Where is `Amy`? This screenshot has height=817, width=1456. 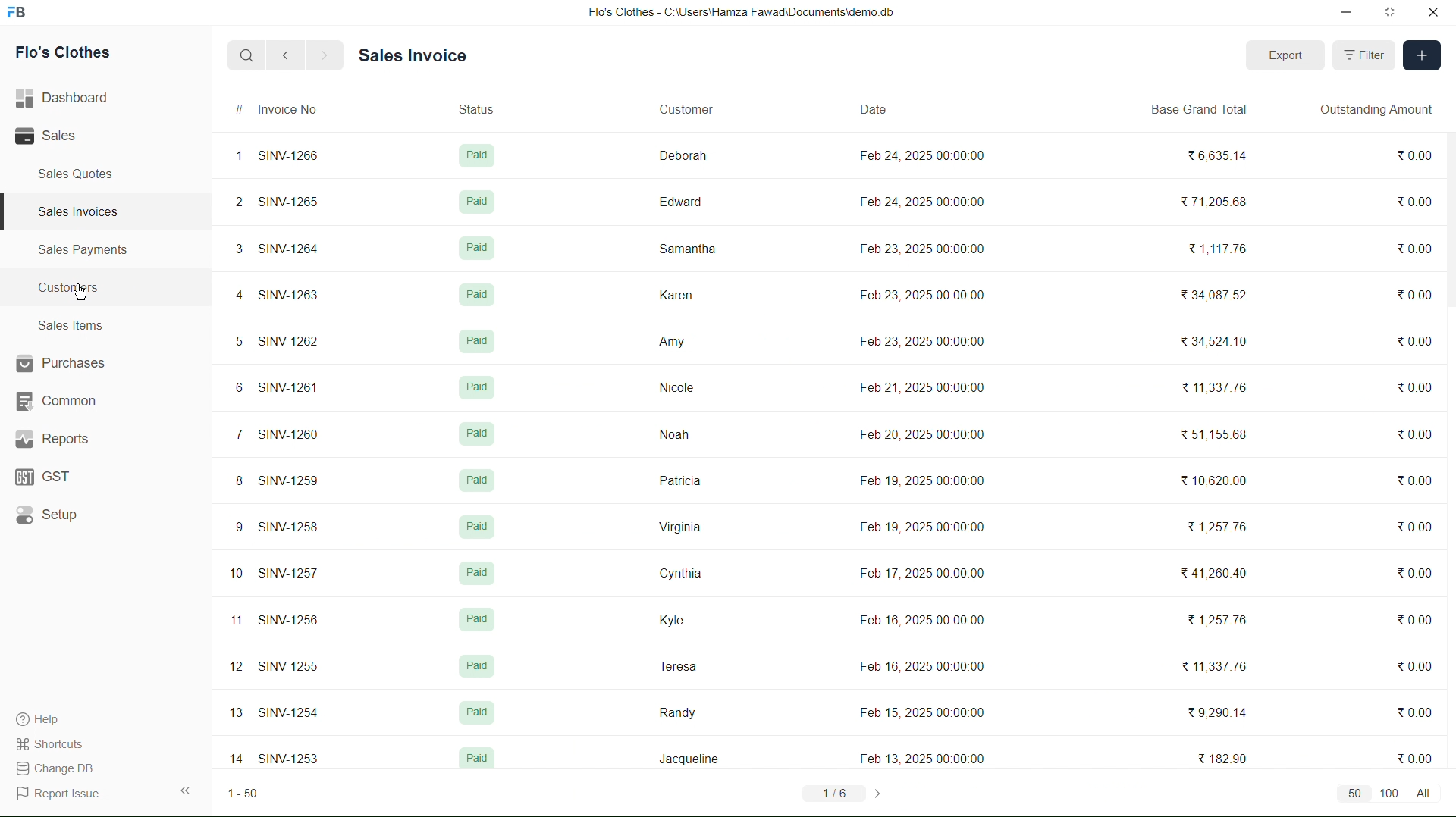
Amy is located at coordinates (670, 340).